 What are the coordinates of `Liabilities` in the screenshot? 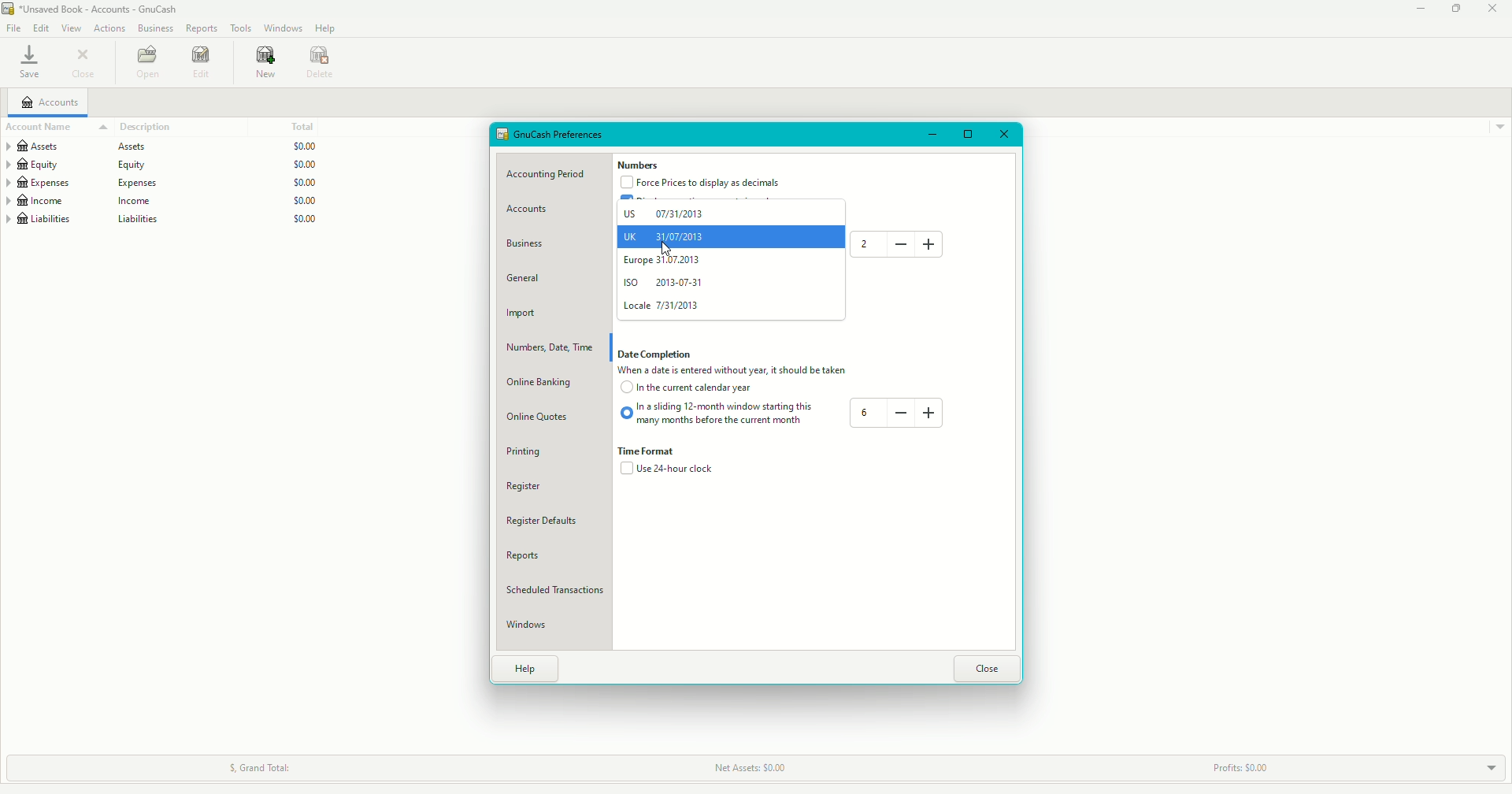 It's located at (163, 221).